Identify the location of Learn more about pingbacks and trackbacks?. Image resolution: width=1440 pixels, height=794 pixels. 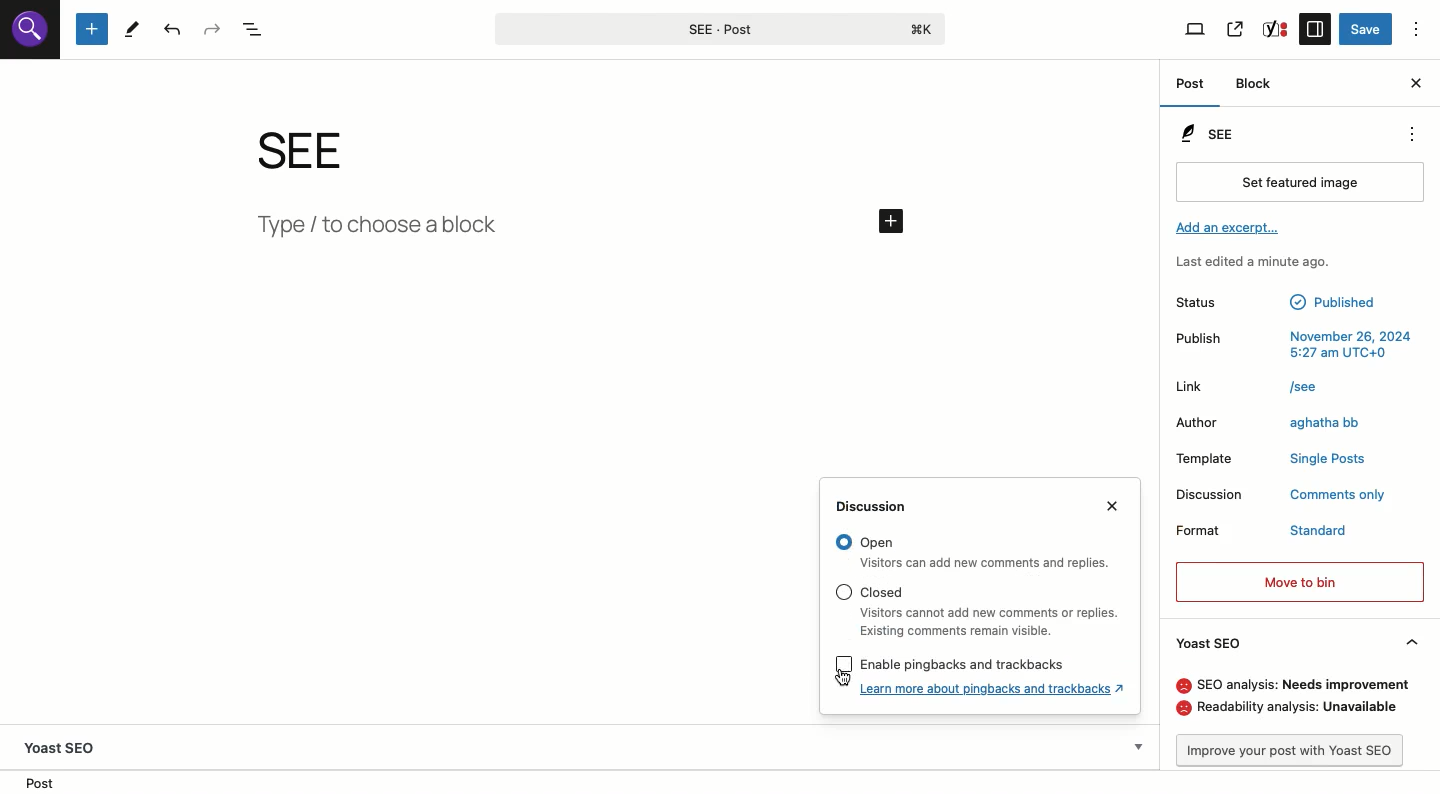
(996, 688).